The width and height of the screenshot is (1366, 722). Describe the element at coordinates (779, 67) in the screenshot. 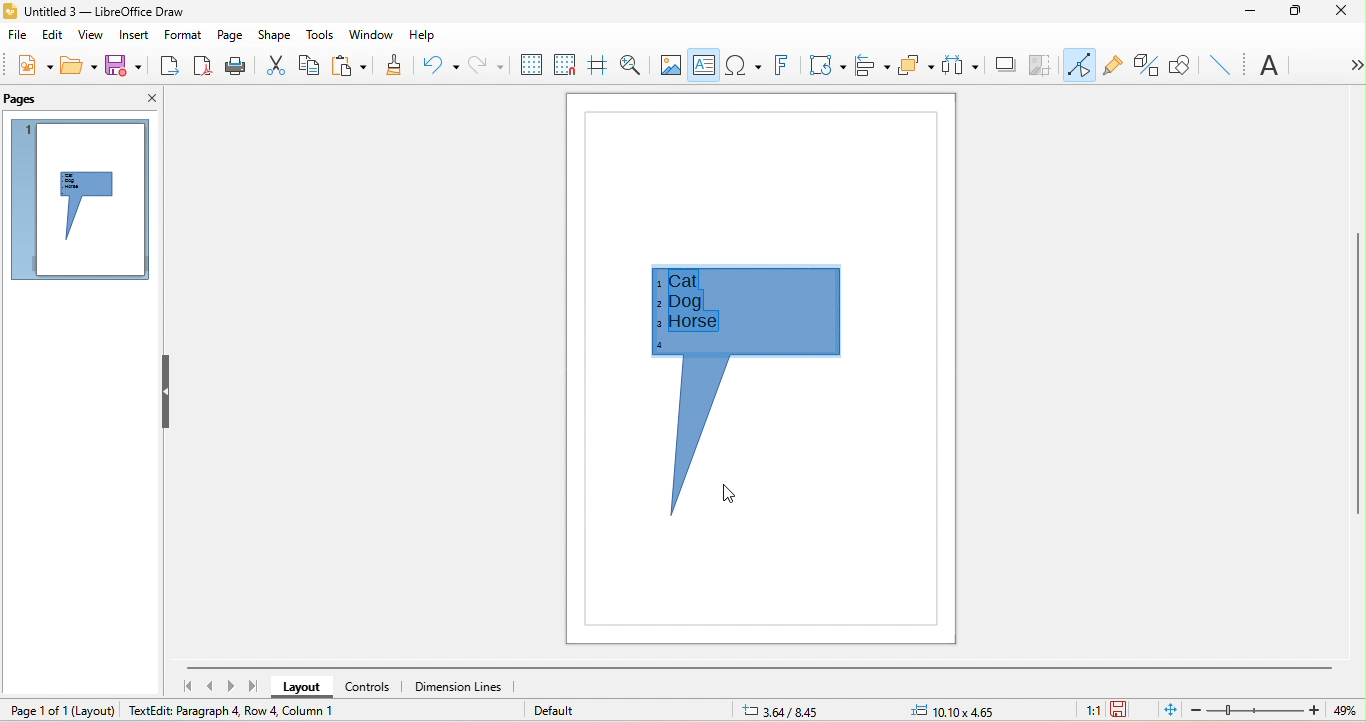

I see `fontwork text` at that location.